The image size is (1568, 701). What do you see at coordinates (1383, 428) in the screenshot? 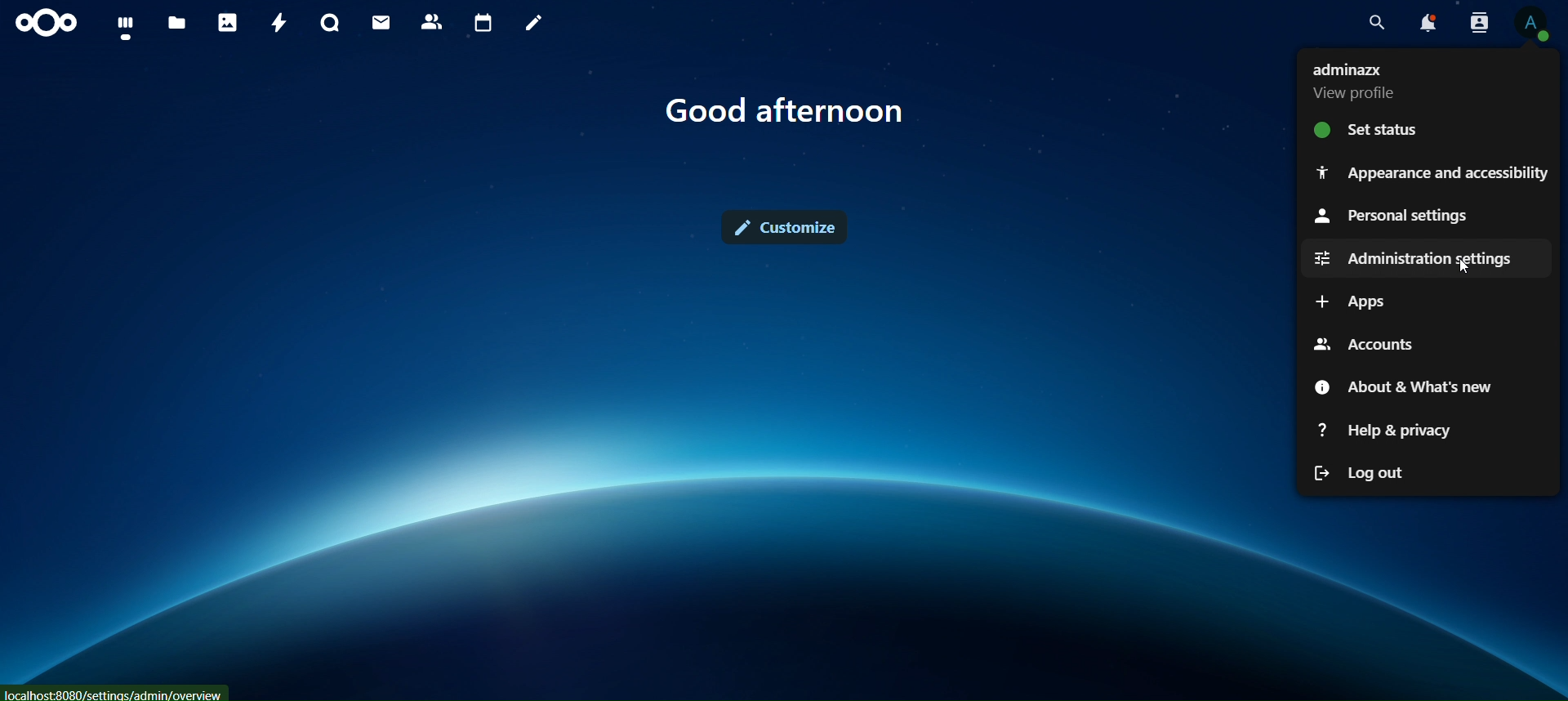
I see `help 7 privacy` at bounding box center [1383, 428].